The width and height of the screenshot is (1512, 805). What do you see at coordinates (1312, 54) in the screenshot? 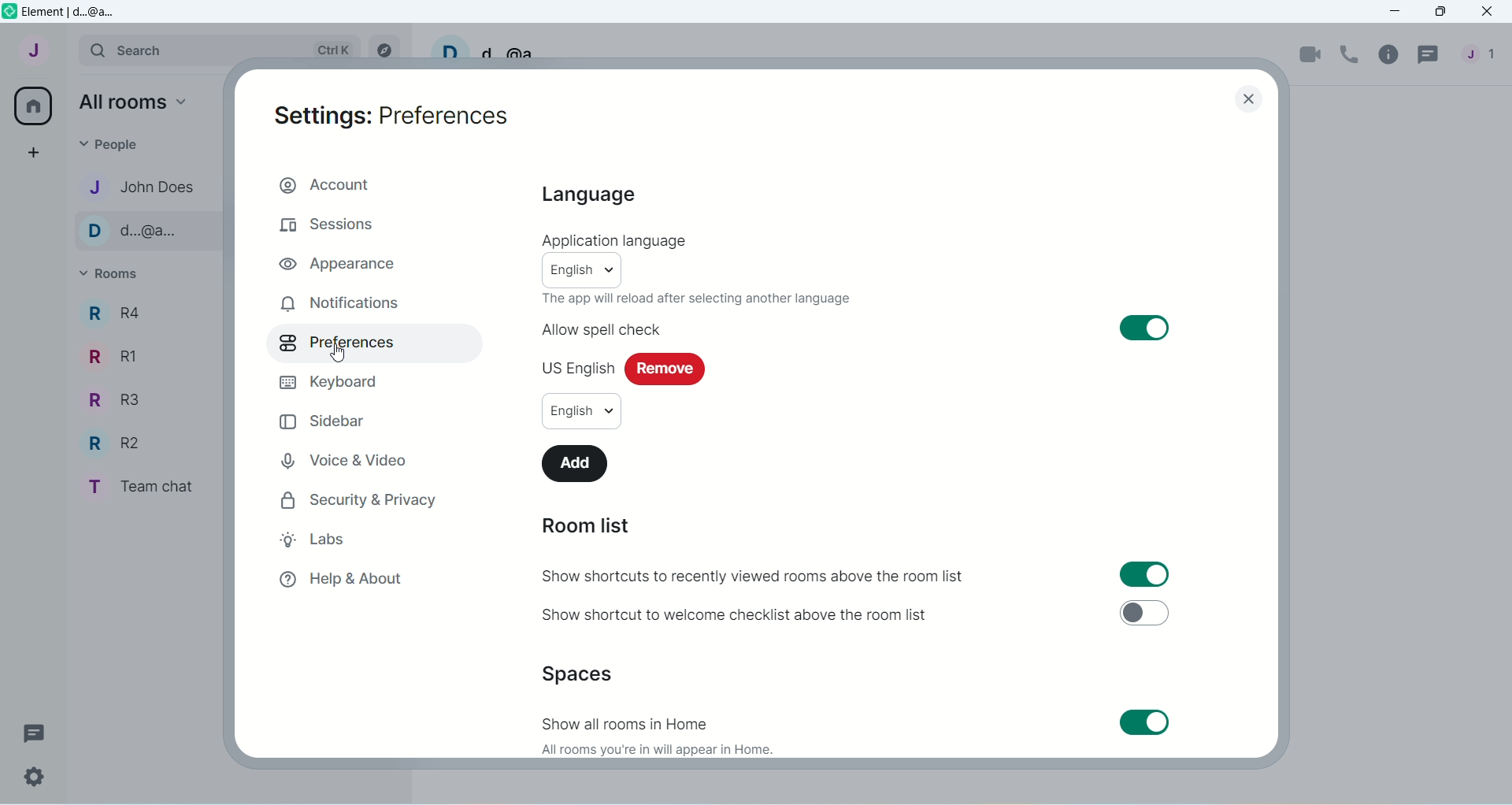
I see `Video call` at bounding box center [1312, 54].